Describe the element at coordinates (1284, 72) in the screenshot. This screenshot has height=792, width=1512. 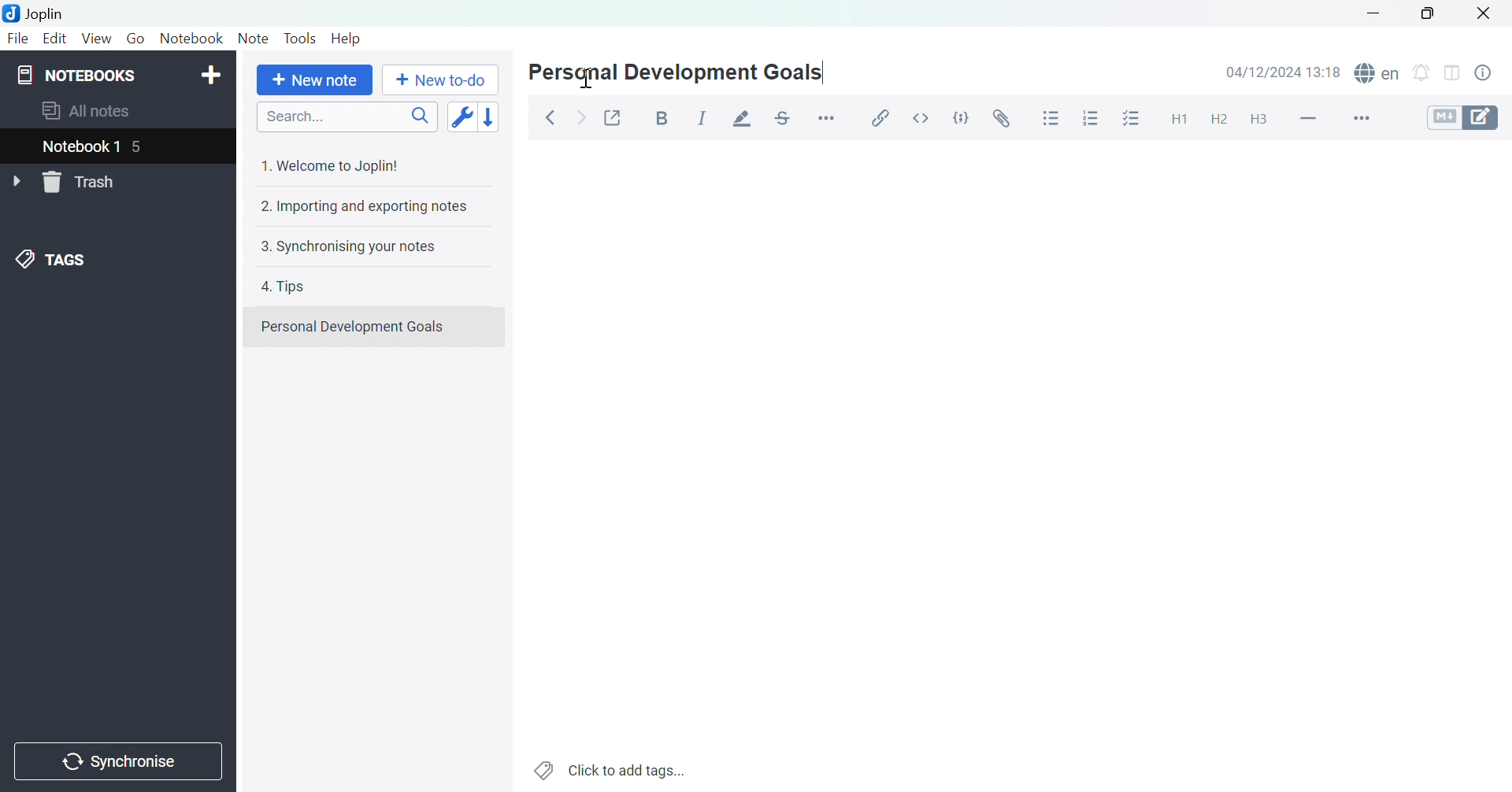
I see `04/12/2024 12:18` at that location.